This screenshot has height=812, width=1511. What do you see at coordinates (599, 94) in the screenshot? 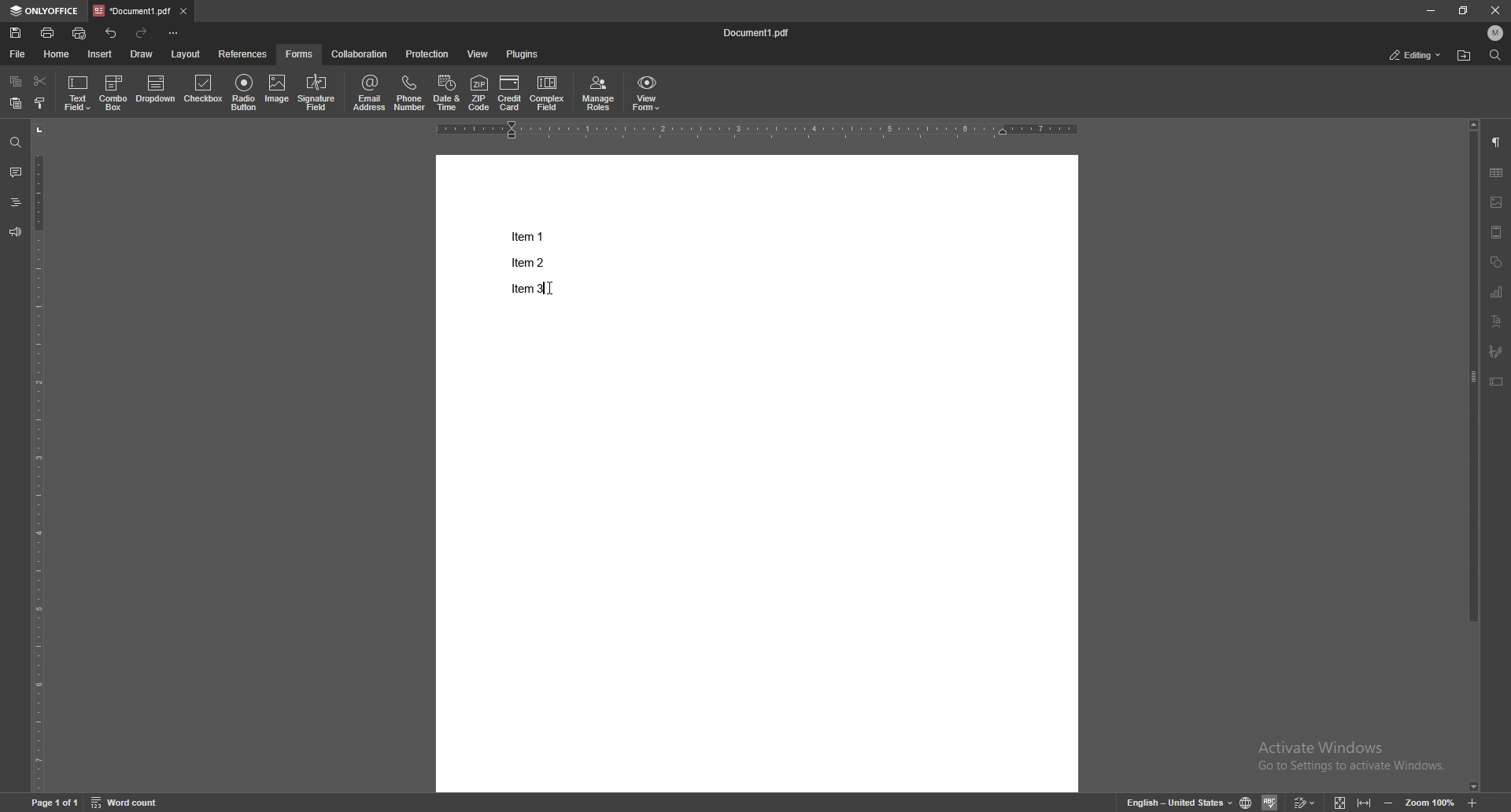
I see `manage roles` at bounding box center [599, 94].